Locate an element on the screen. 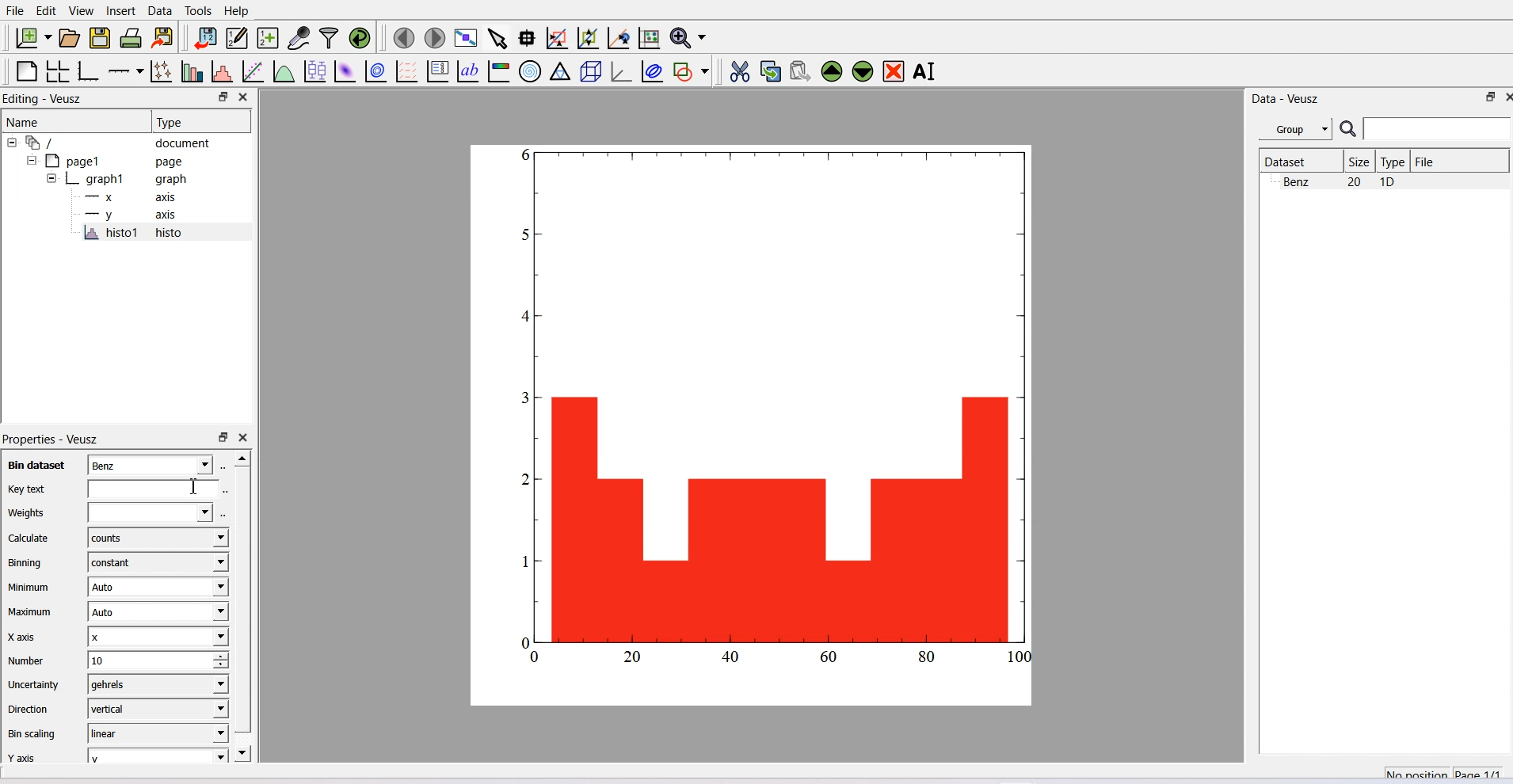 The image size is (1513, 784). Blank Page is located at coordinates (25, 71).